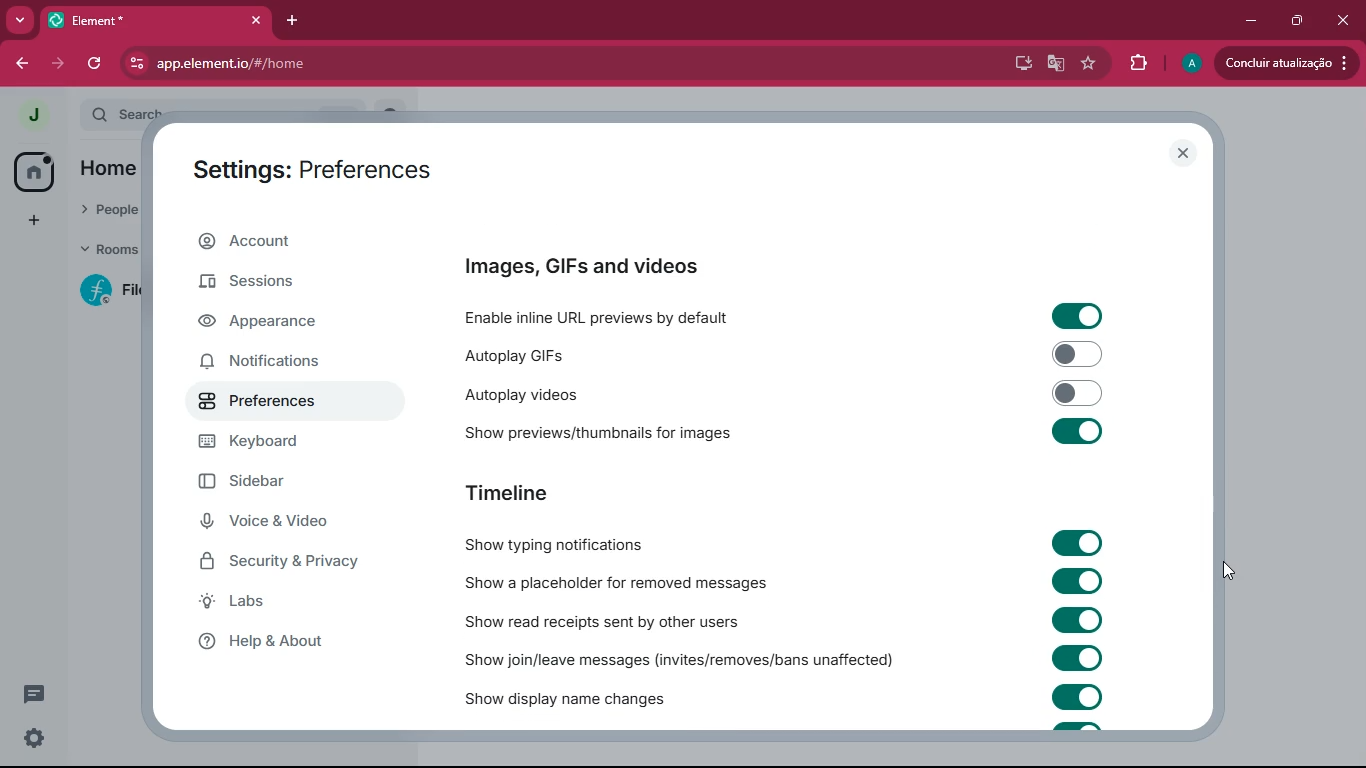  Describe the element at coordinates (302, 602) in the screenshot. I see `labs` at that location.